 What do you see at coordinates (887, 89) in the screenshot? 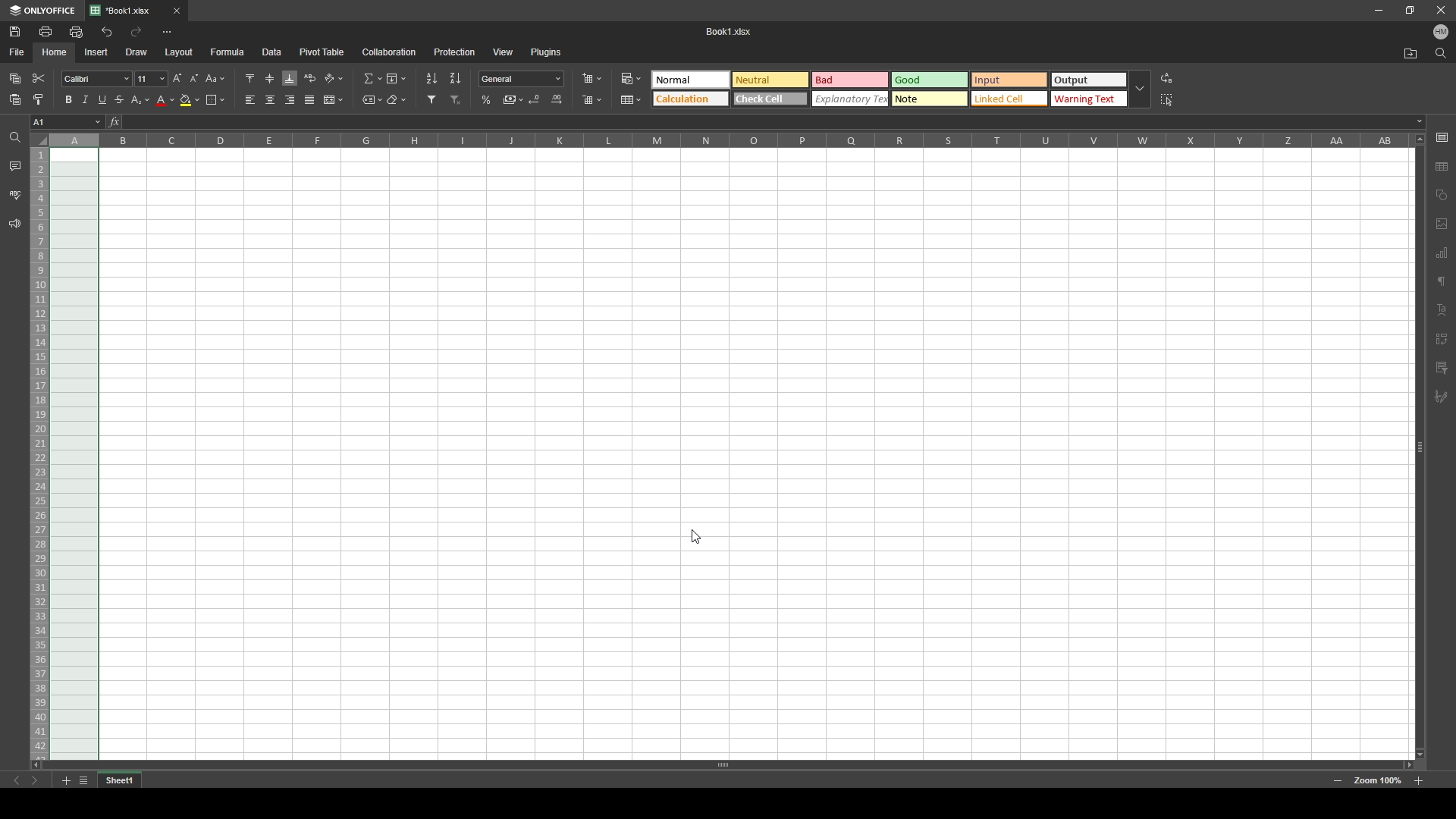
I see `theme selection` at bounding box center [887, 89].